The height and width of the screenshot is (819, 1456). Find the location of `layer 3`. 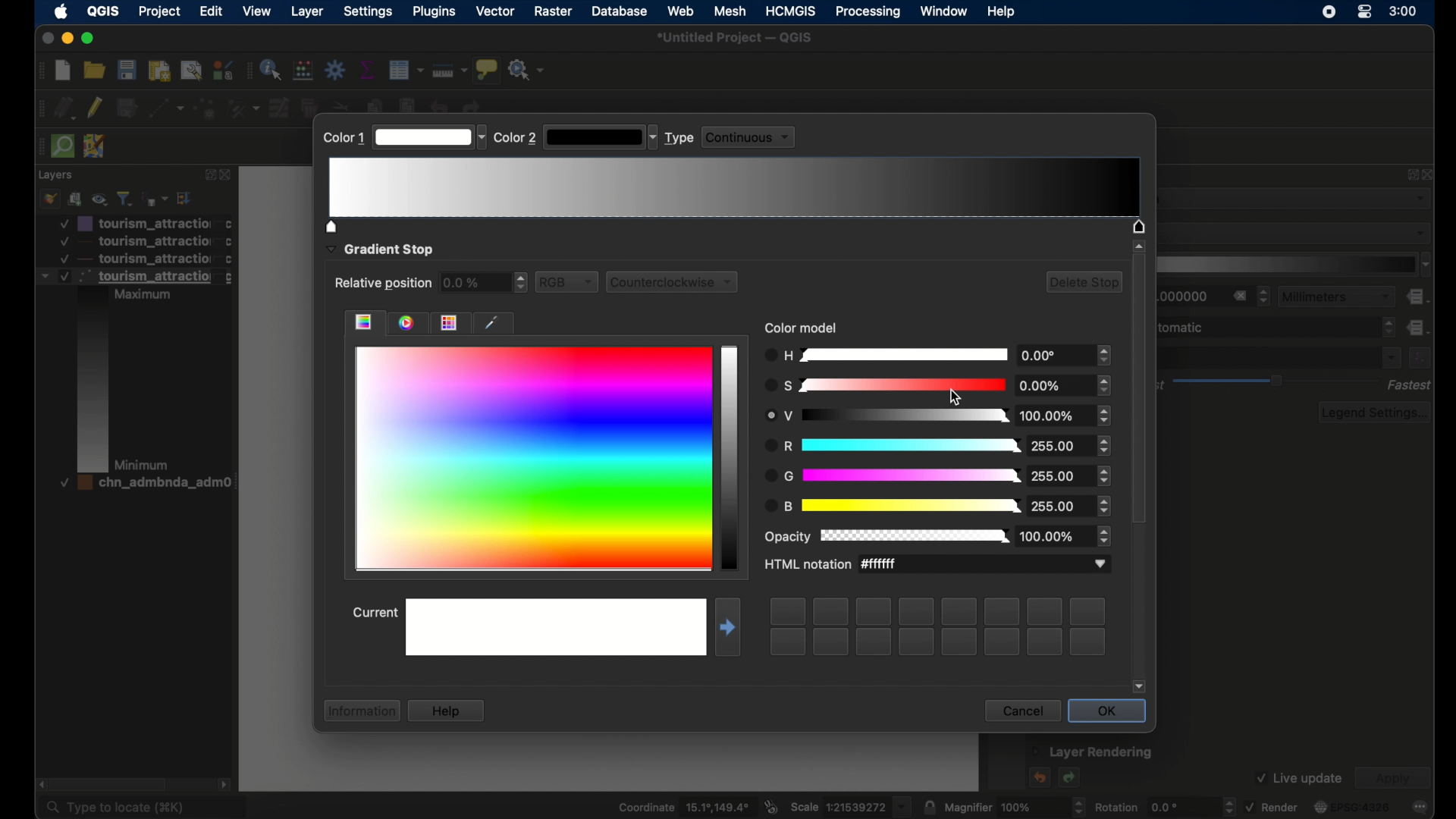

layer 3 is located at coordinates (136, 259).